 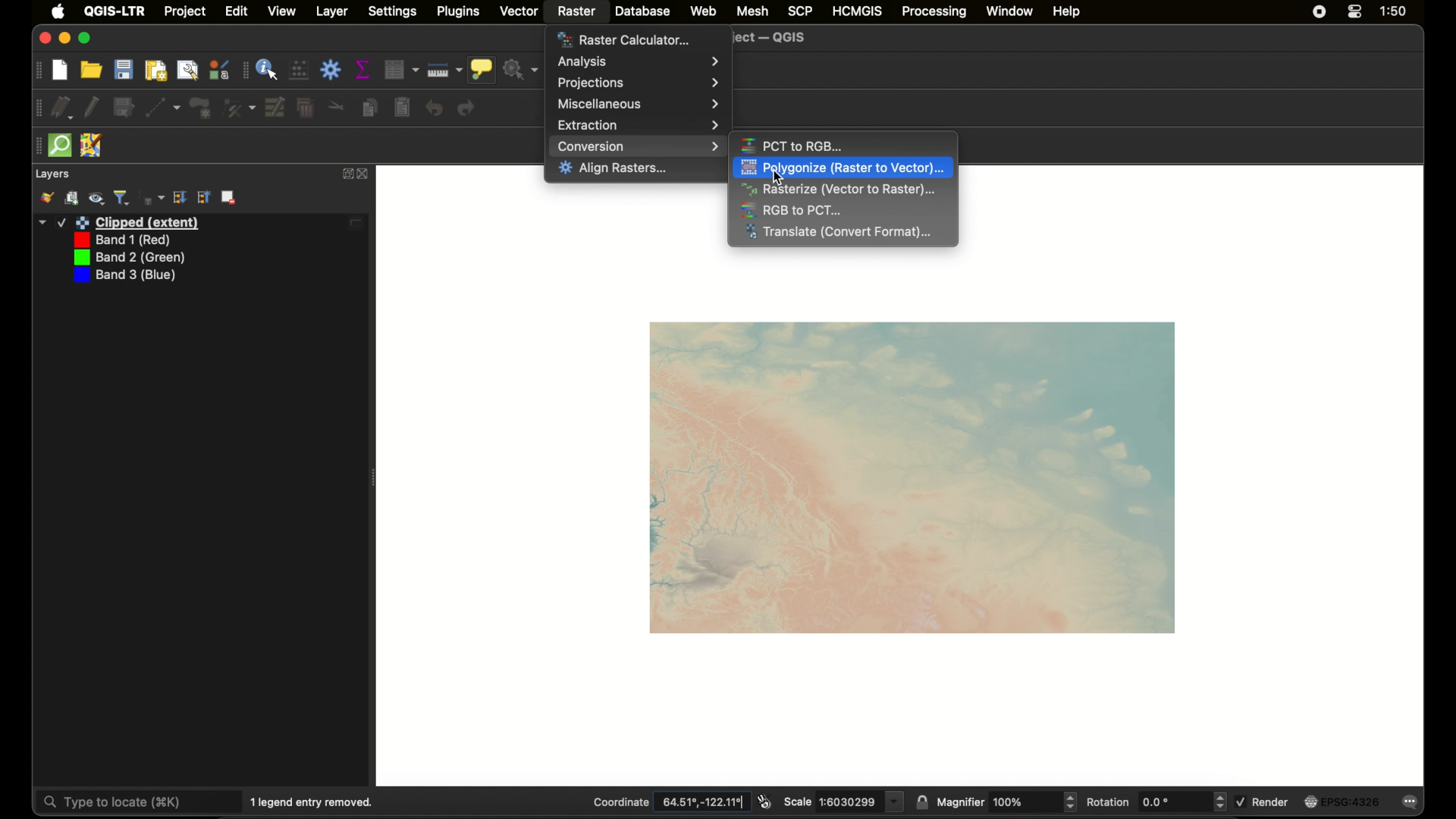 What do you see at coordinates (1263, 801) in the screenshot?
I see `render` at bounding box center [1263, 801].